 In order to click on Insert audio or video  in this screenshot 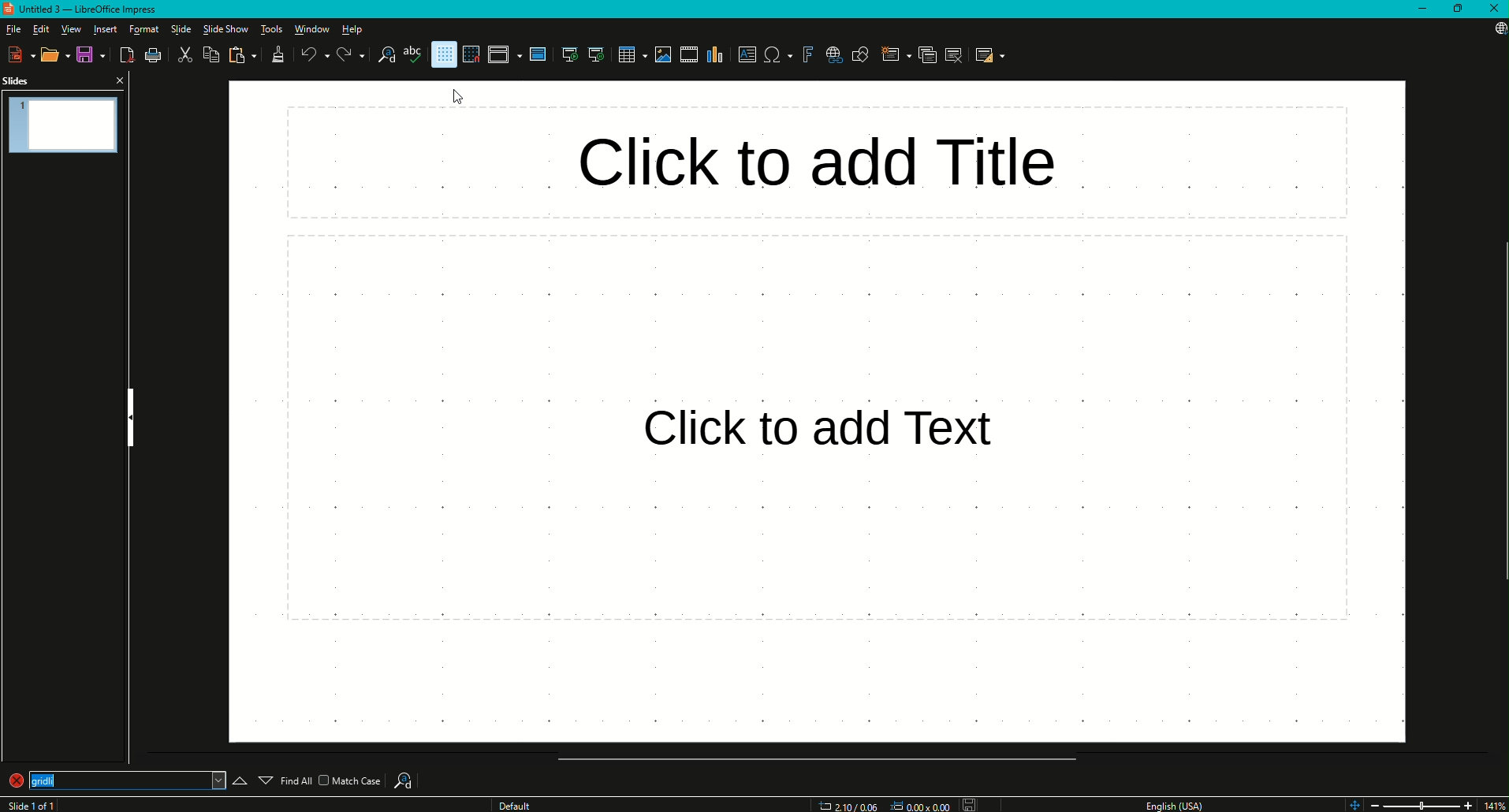, I will do `click(687, 54)`.